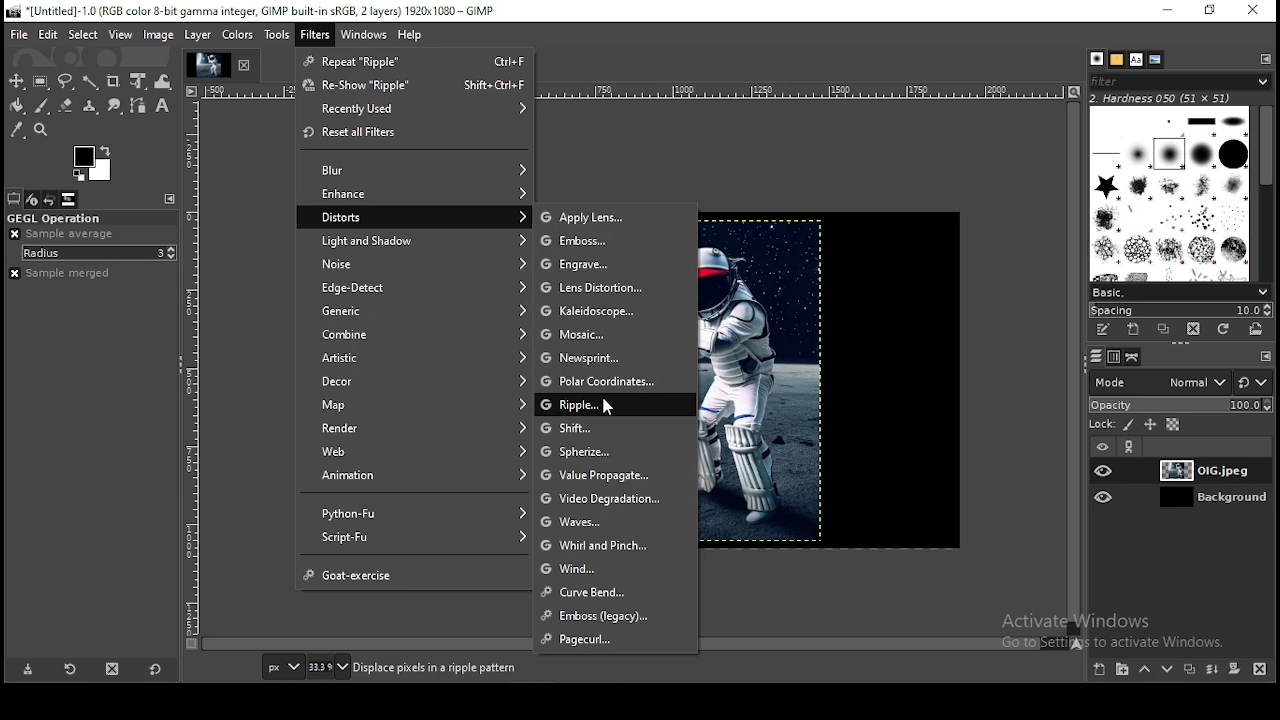 The height and width of the screenshot is (720, 1280). Describe the element at coordinates (41, 130) in the screenshot. I see `zoom tool` at that location.